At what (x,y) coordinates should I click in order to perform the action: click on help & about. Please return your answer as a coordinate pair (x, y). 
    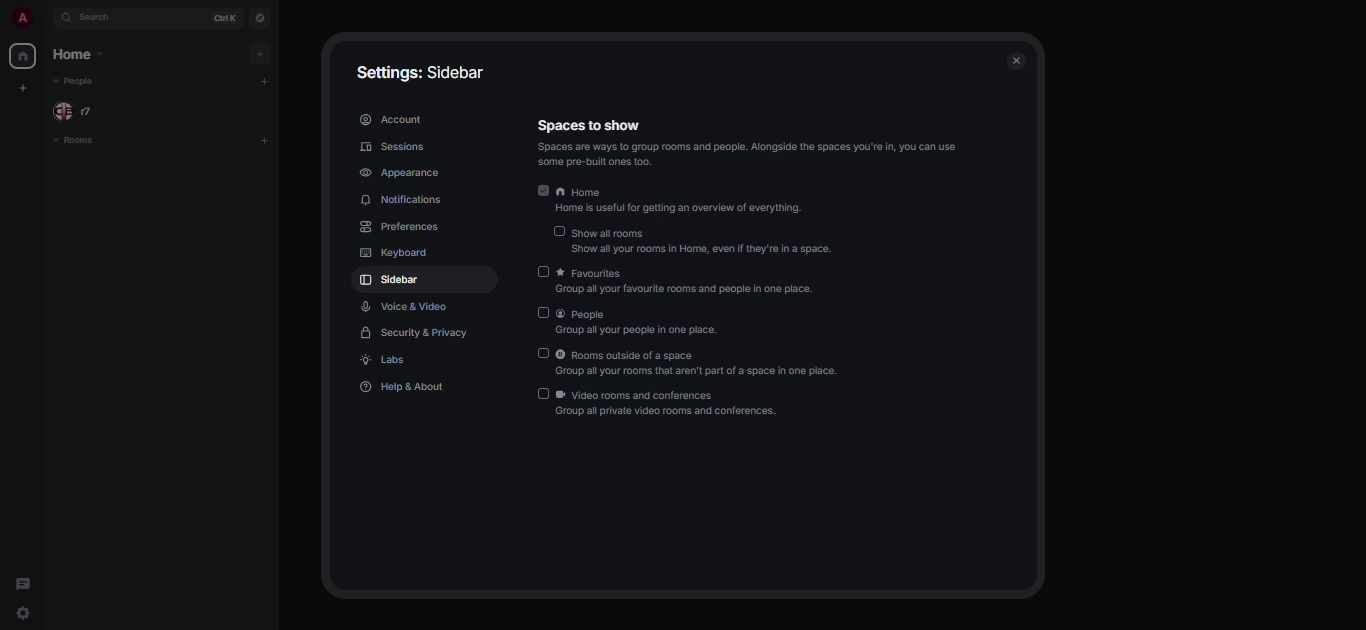
    Looking at the image, I should click on (406, 389).